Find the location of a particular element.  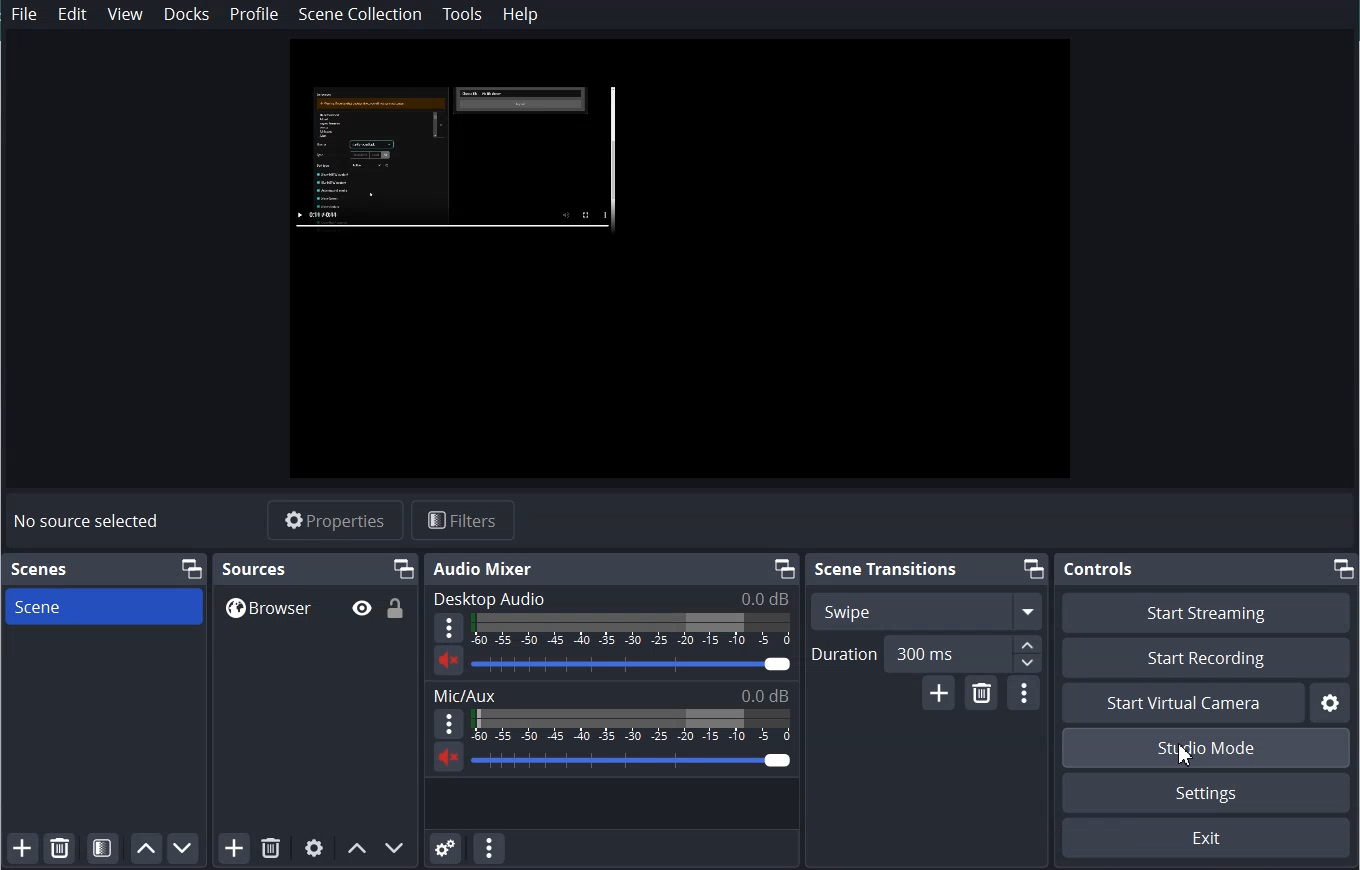

More is located at coordinates (448, 724).